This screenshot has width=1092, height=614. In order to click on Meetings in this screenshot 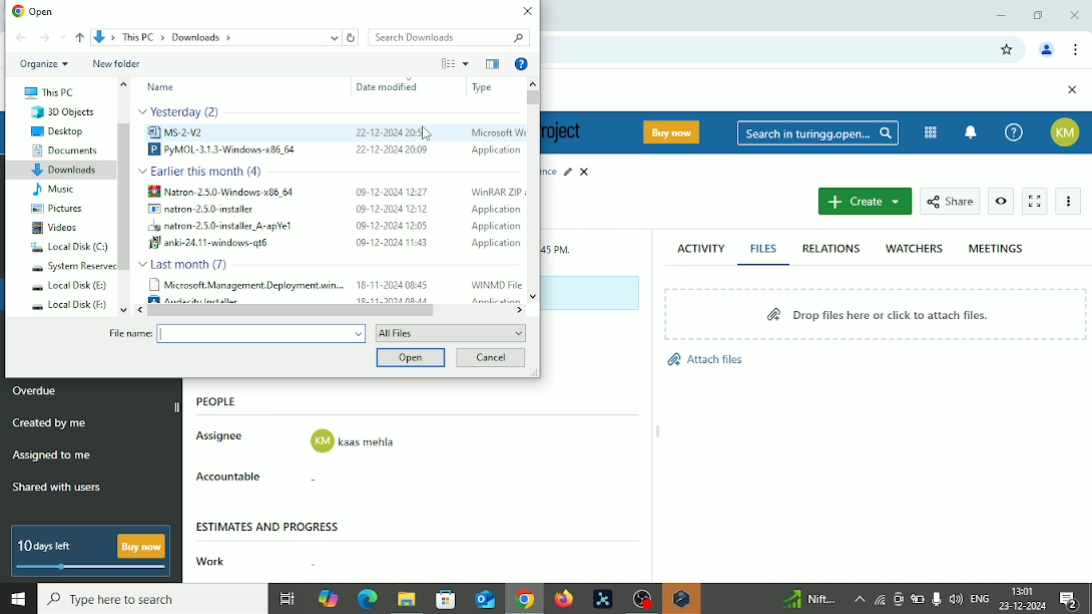, I will do `click(996, 248)`.